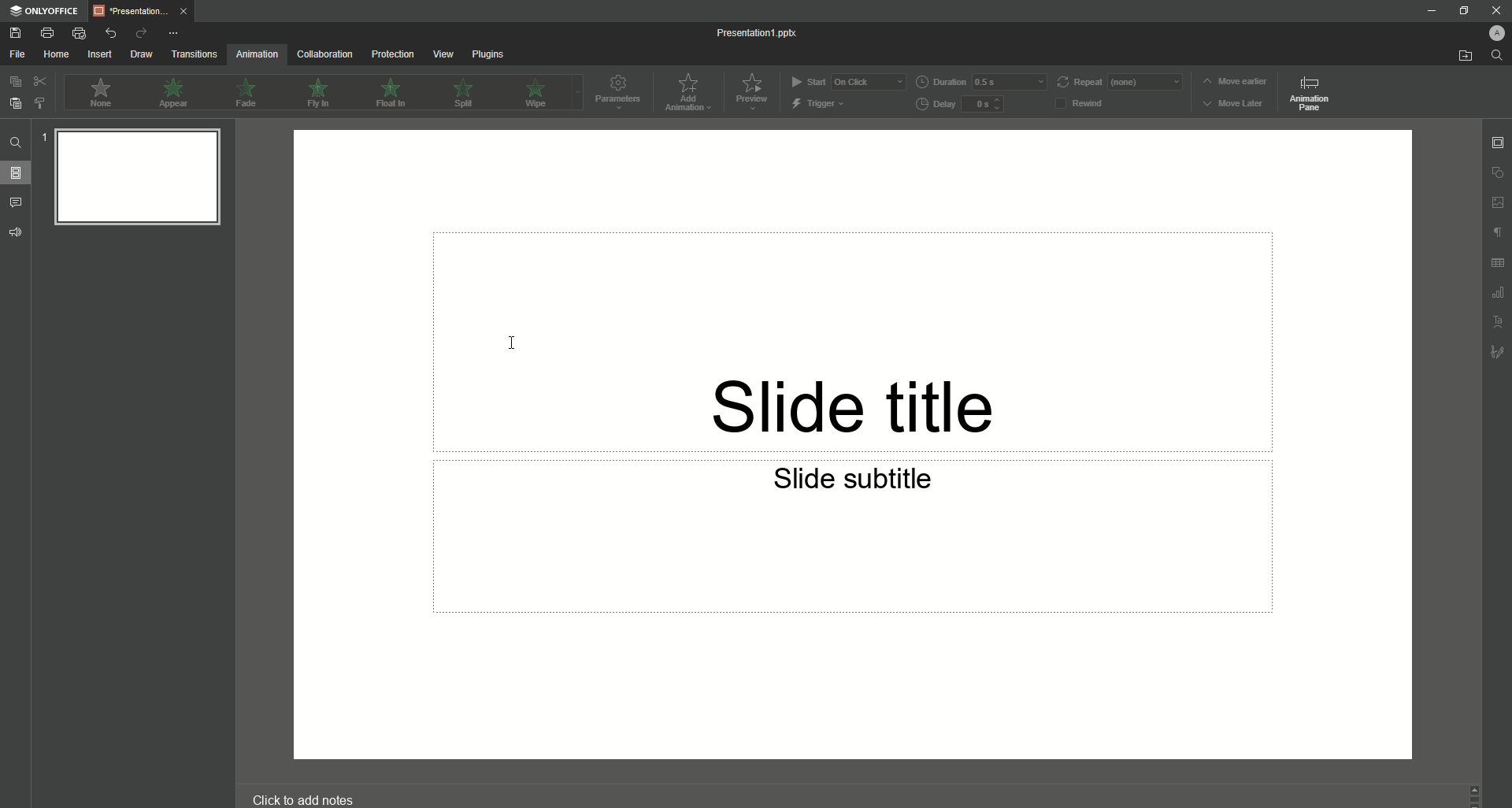  What do you see at coordinates (1498, 321) in the screenshot?
I see `Text Settings` at bounding box center [1498, 321].